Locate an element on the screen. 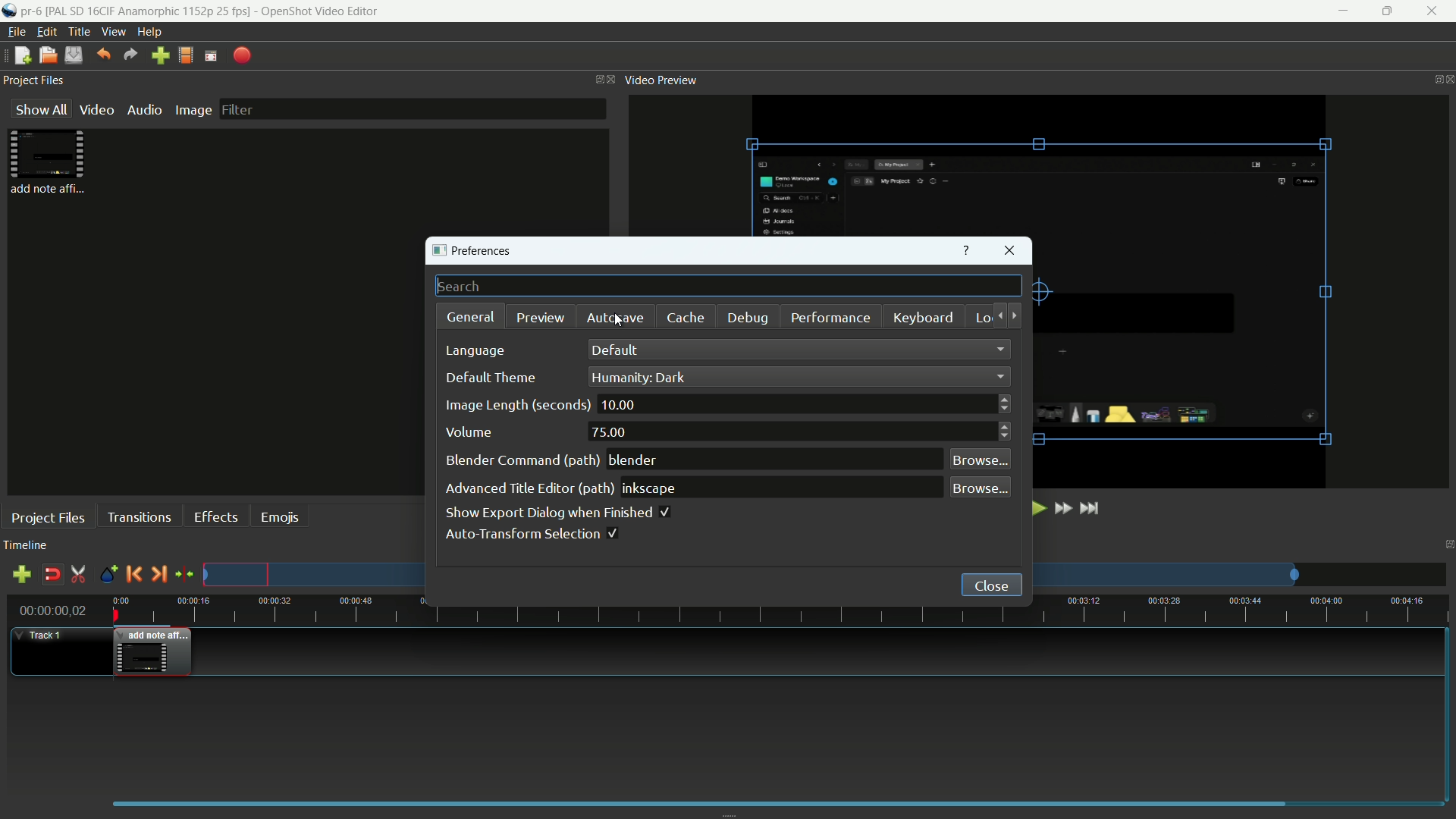  enable razor is located at coordinates (77, 574).